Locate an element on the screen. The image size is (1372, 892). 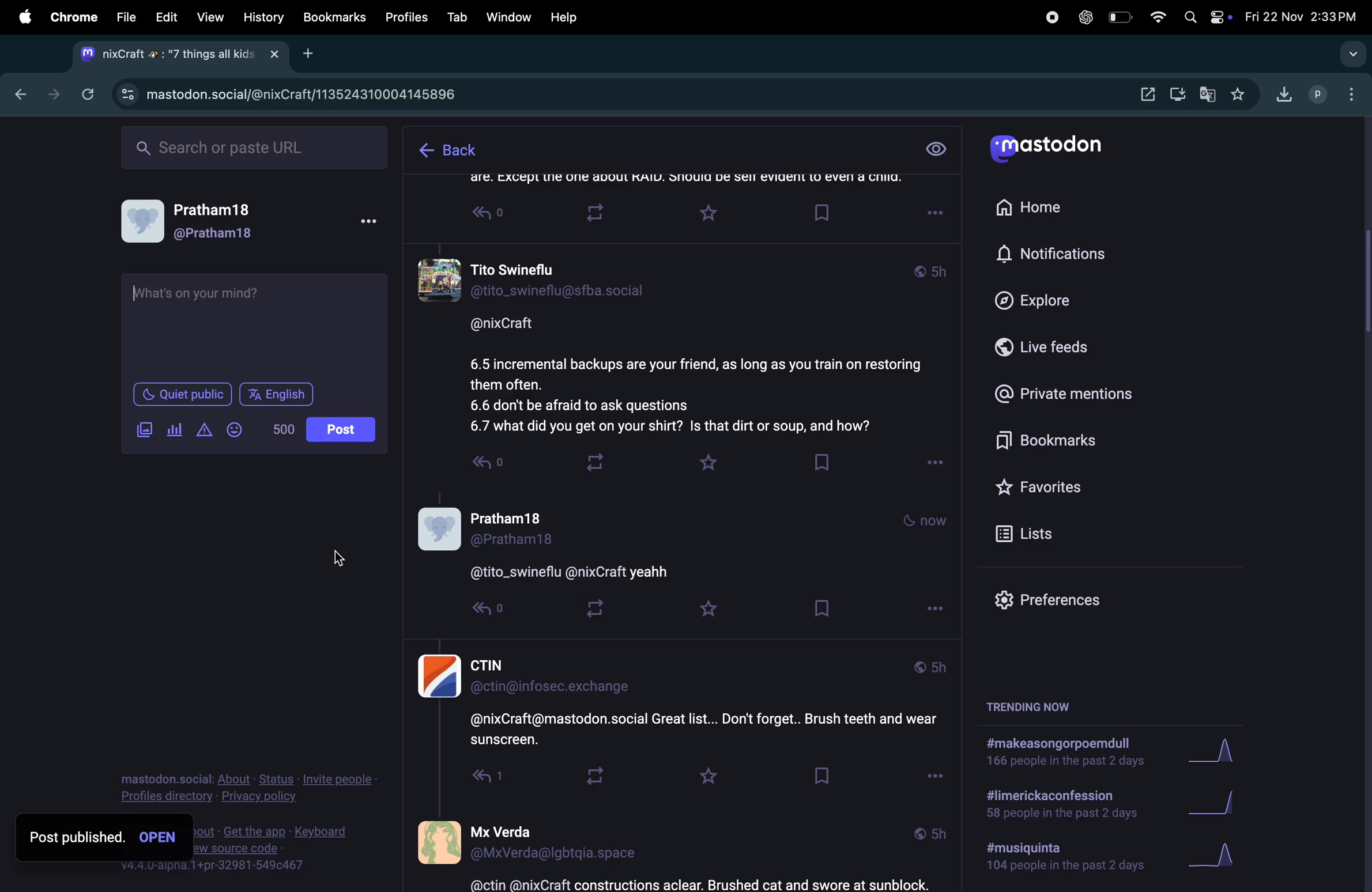
favourites is located at coordinates (1239, 95).